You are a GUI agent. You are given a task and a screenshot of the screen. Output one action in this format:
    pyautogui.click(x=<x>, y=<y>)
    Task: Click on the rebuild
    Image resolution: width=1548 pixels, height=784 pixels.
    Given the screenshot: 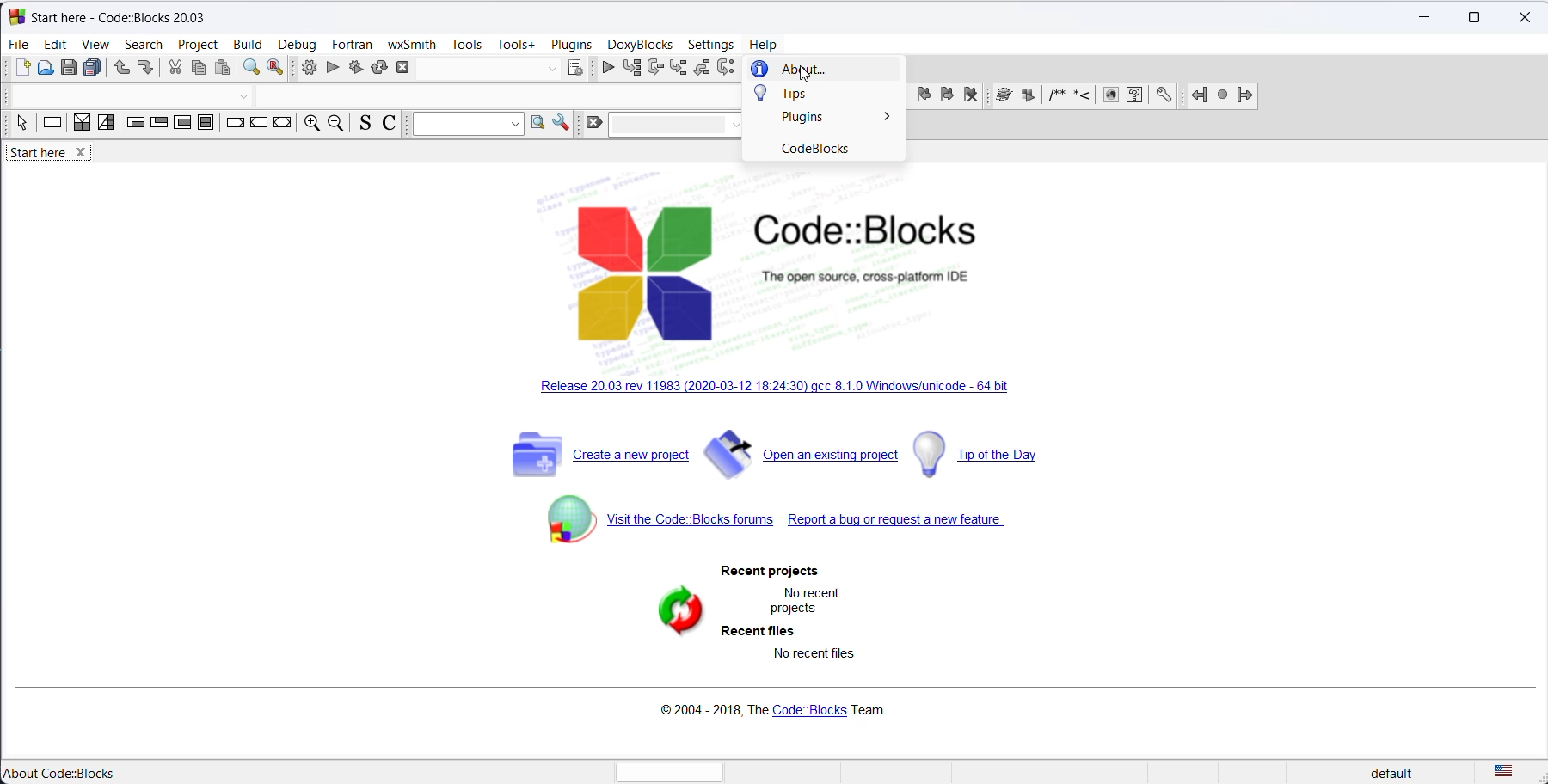 What is the action you would take?
    pyautogui.click(x=378, y=70)
    